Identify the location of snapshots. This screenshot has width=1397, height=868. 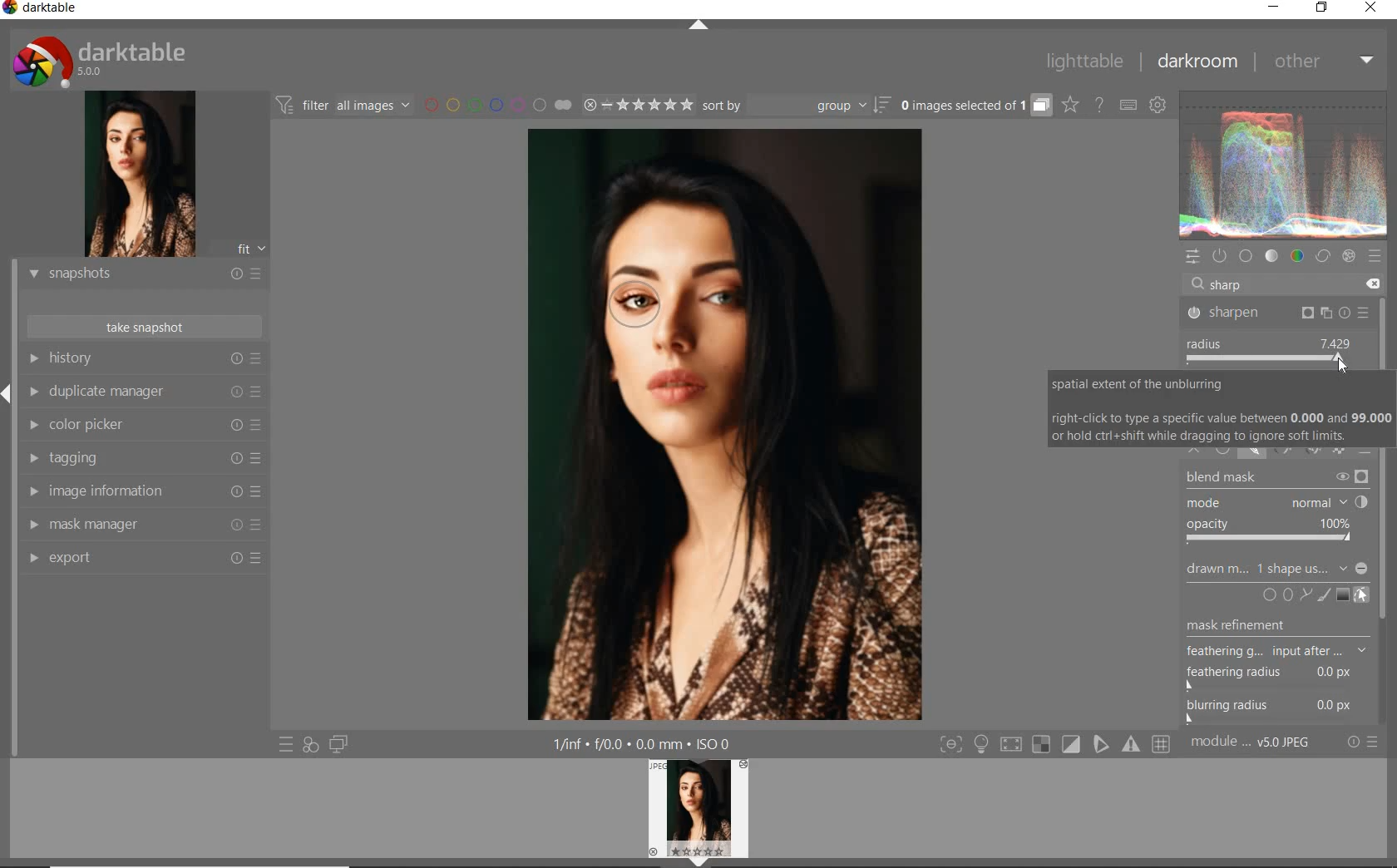
(142, 274).